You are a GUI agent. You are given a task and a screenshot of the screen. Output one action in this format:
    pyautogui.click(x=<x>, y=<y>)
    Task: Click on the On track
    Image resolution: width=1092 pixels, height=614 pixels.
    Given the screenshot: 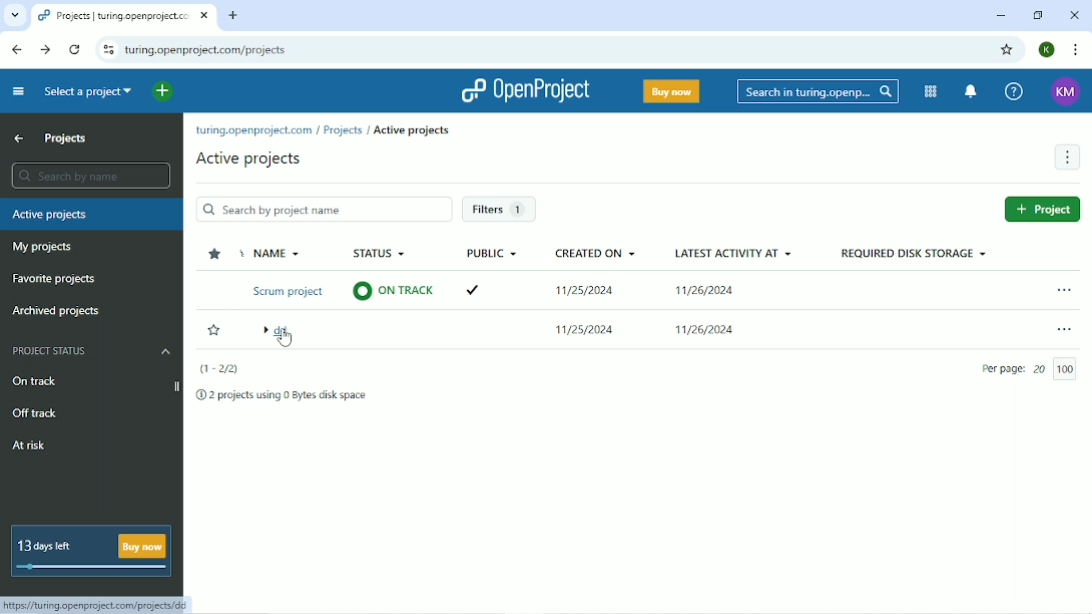 What is the action you would take?
    pyautogui.click(x=392, y=290)
    